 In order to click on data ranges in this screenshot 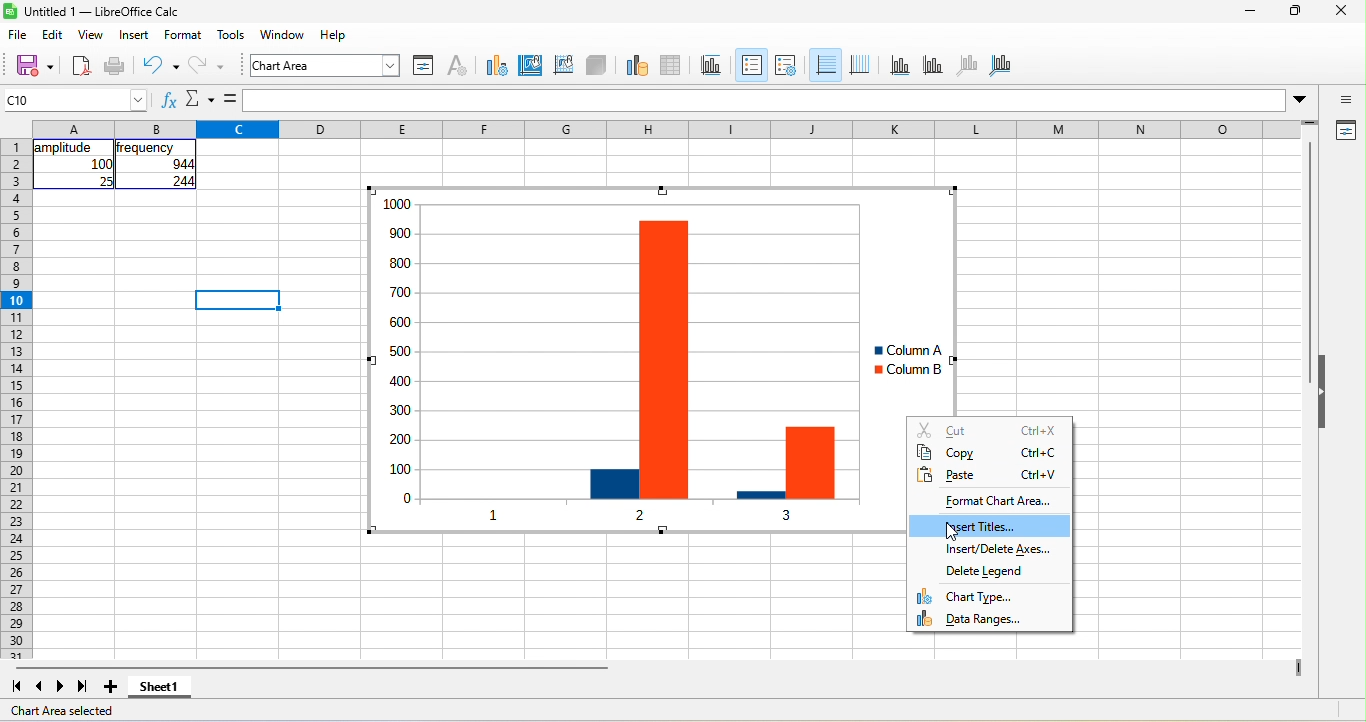, I will do `click(990, 619)`.